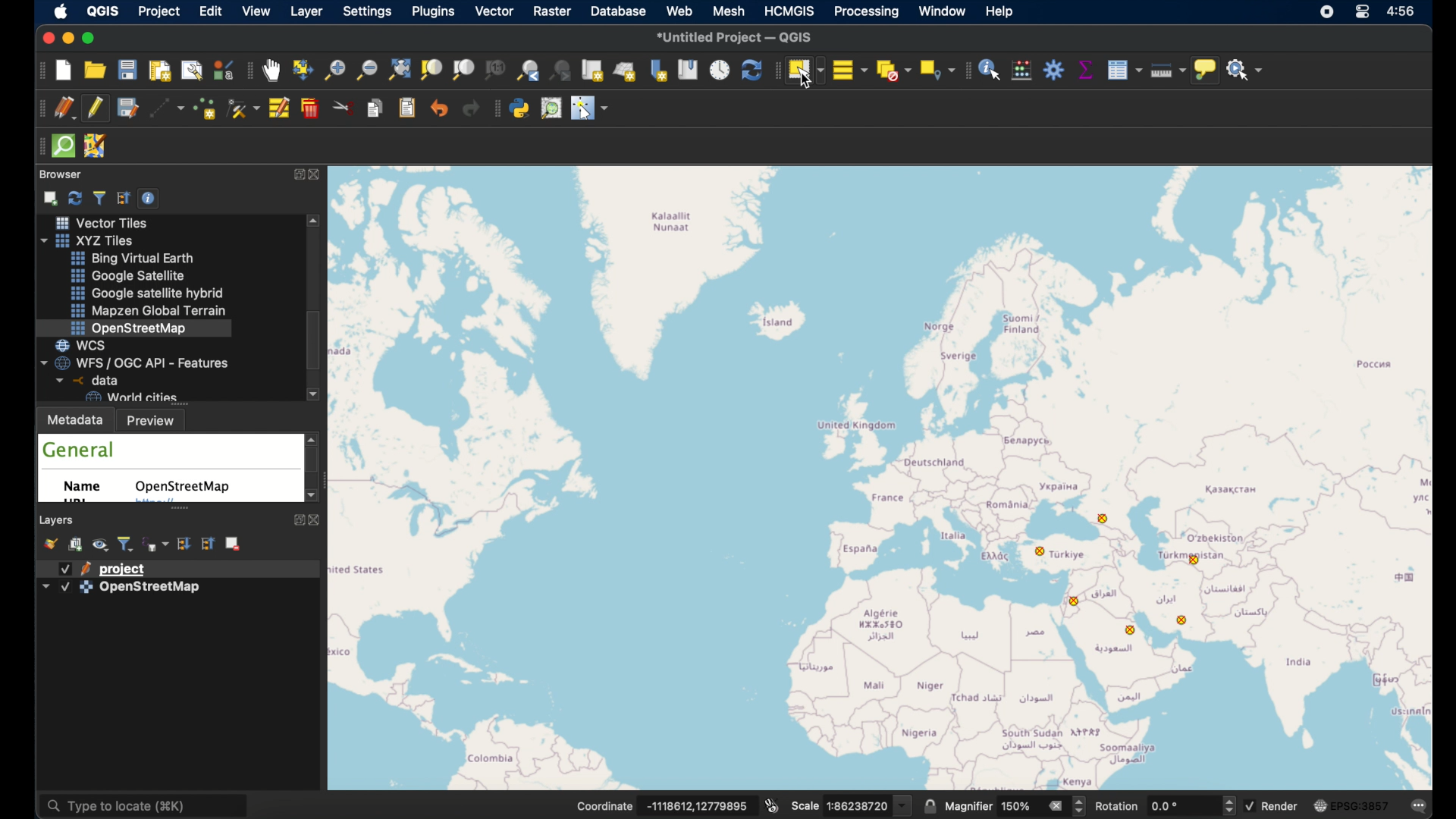  Describe the element at coordinates (49, 197) in the screenshot. I see `add selected layers` at that location.